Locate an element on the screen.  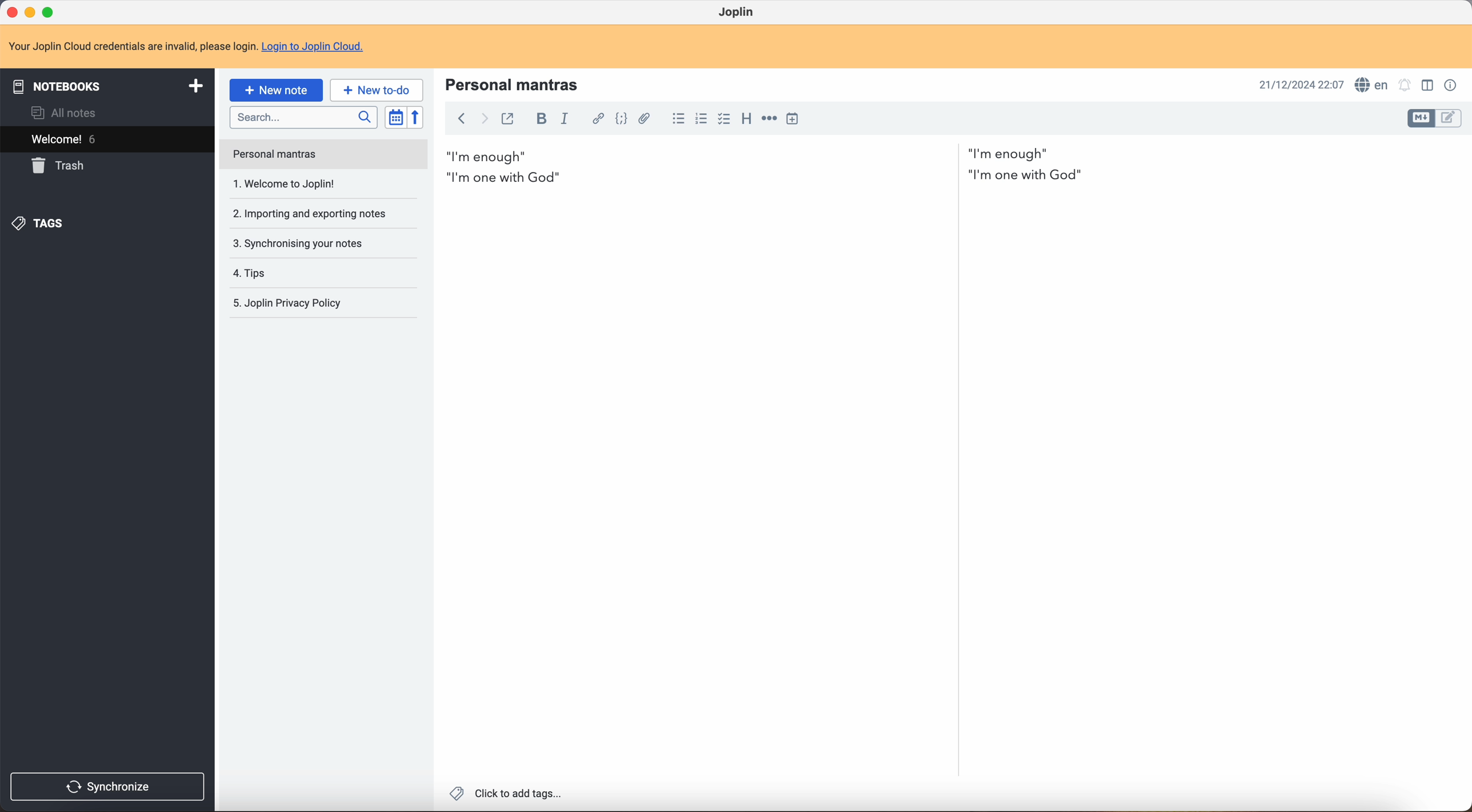
code is located at coordinates (622, 121).